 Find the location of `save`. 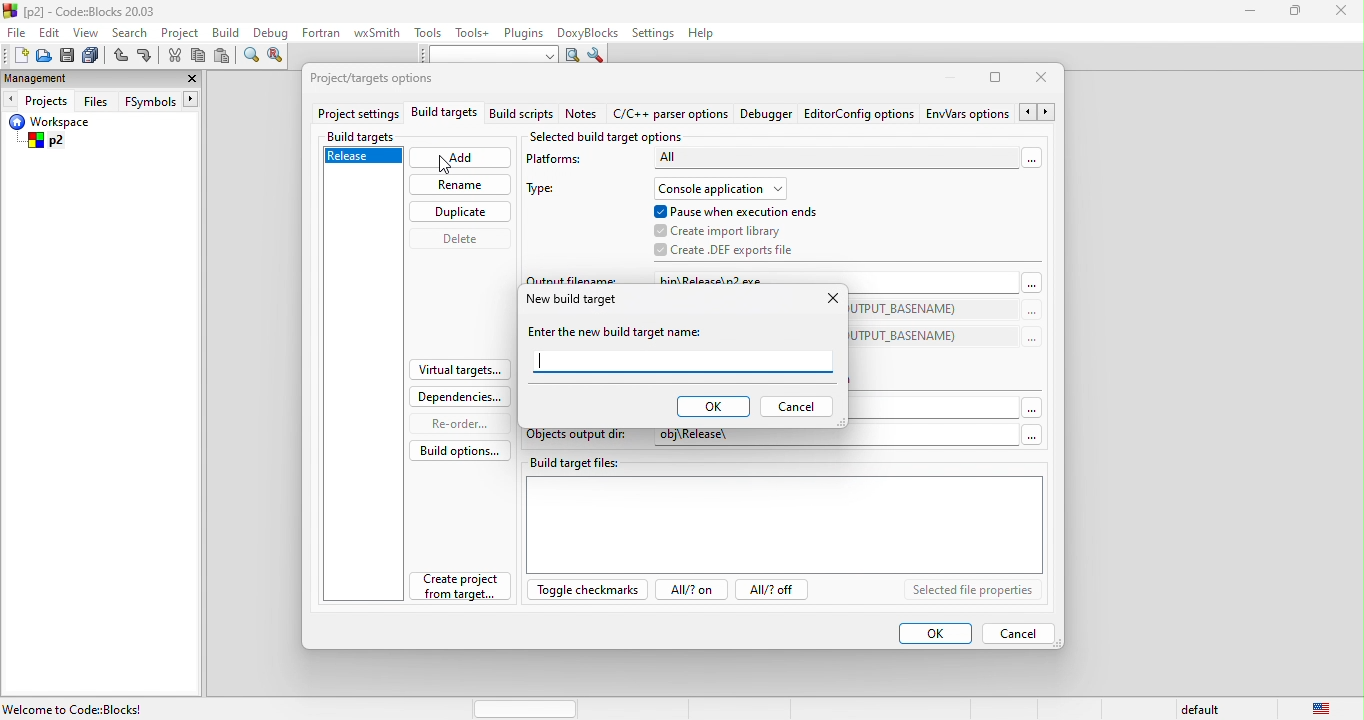

save is located at coordinates (69, 56).